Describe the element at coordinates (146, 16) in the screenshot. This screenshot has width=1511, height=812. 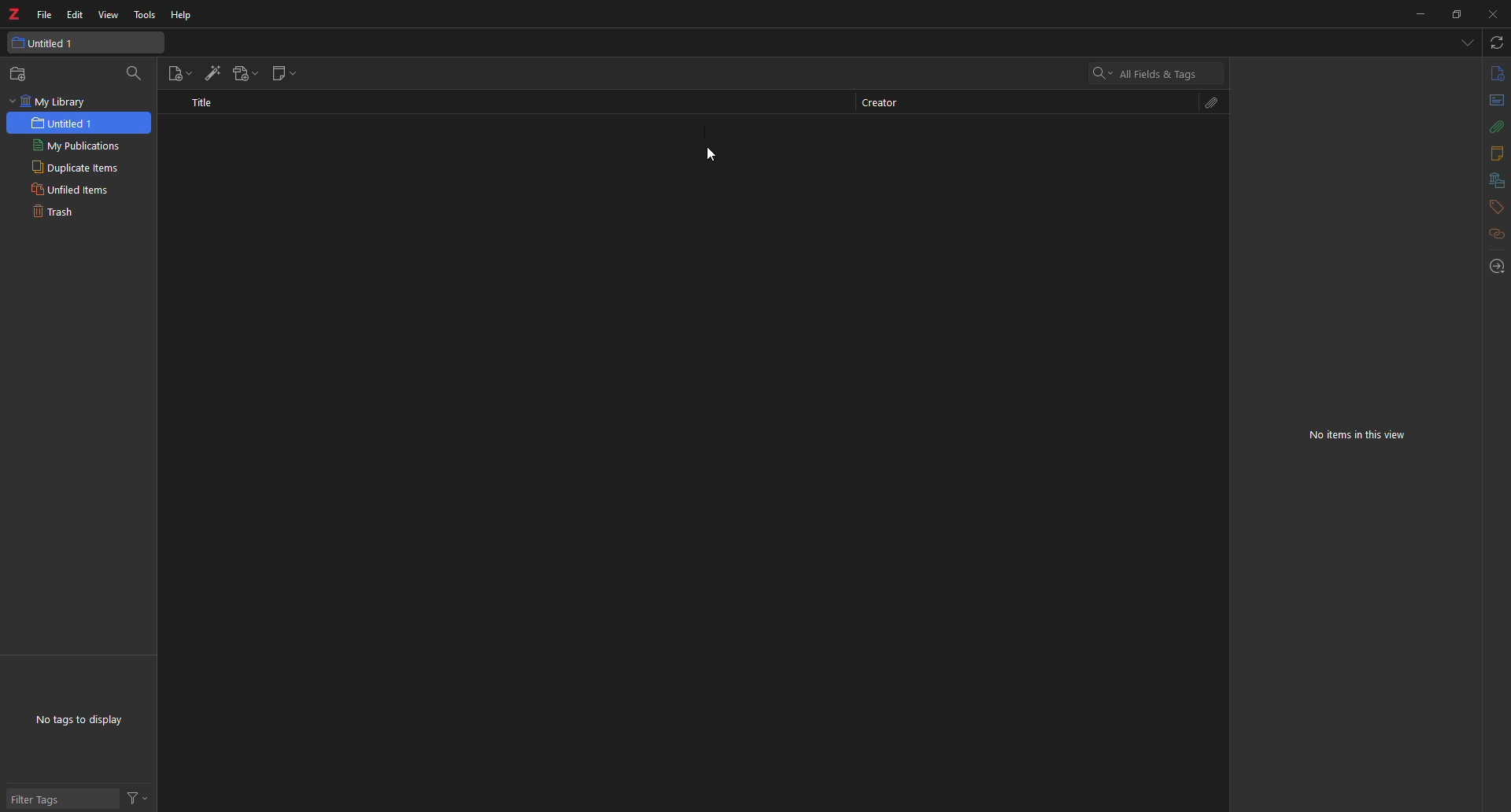
I see `tools` at that location.